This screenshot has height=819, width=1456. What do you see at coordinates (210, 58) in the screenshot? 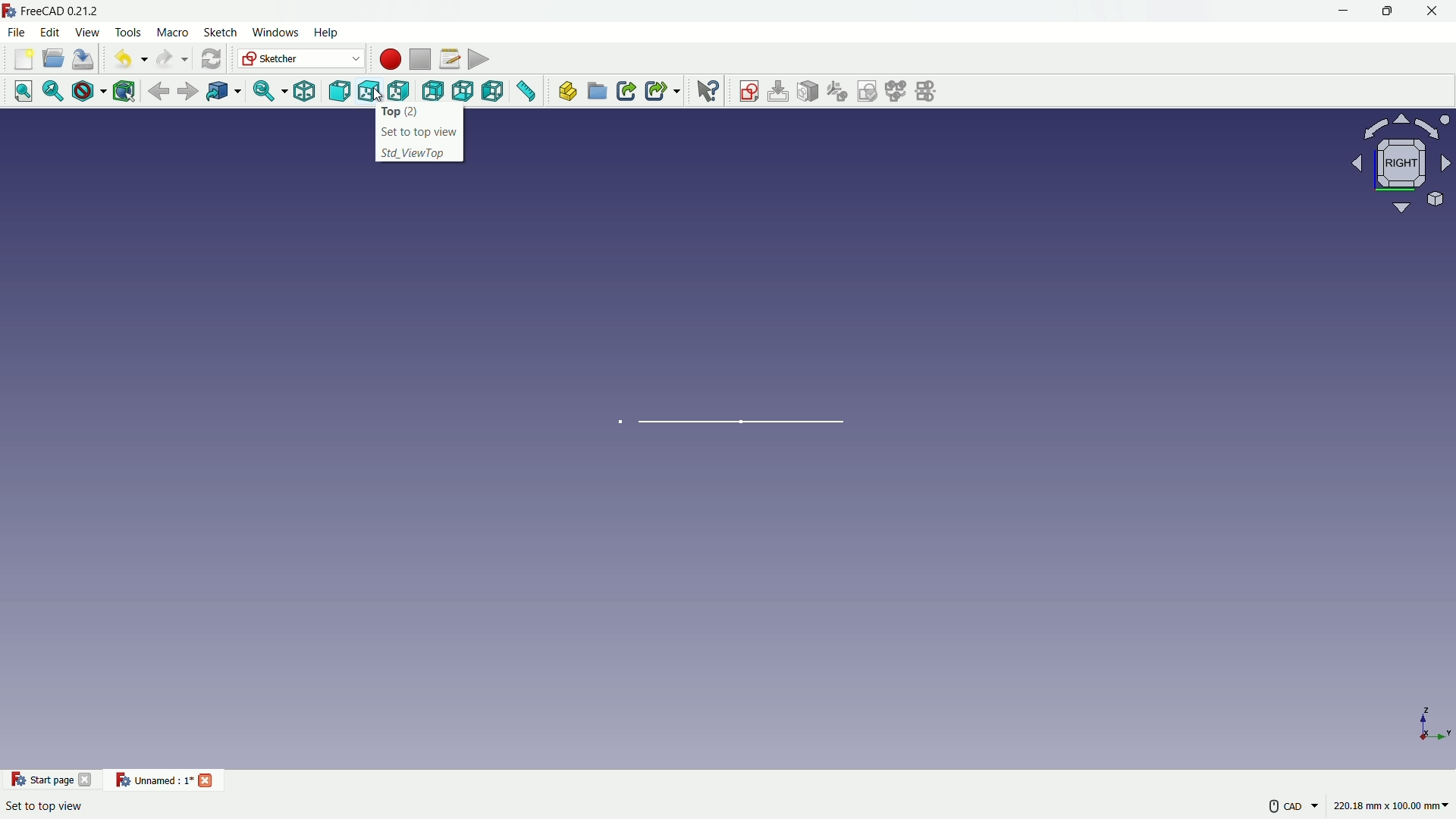
I see `refresh` at bounding box center [210, 58].